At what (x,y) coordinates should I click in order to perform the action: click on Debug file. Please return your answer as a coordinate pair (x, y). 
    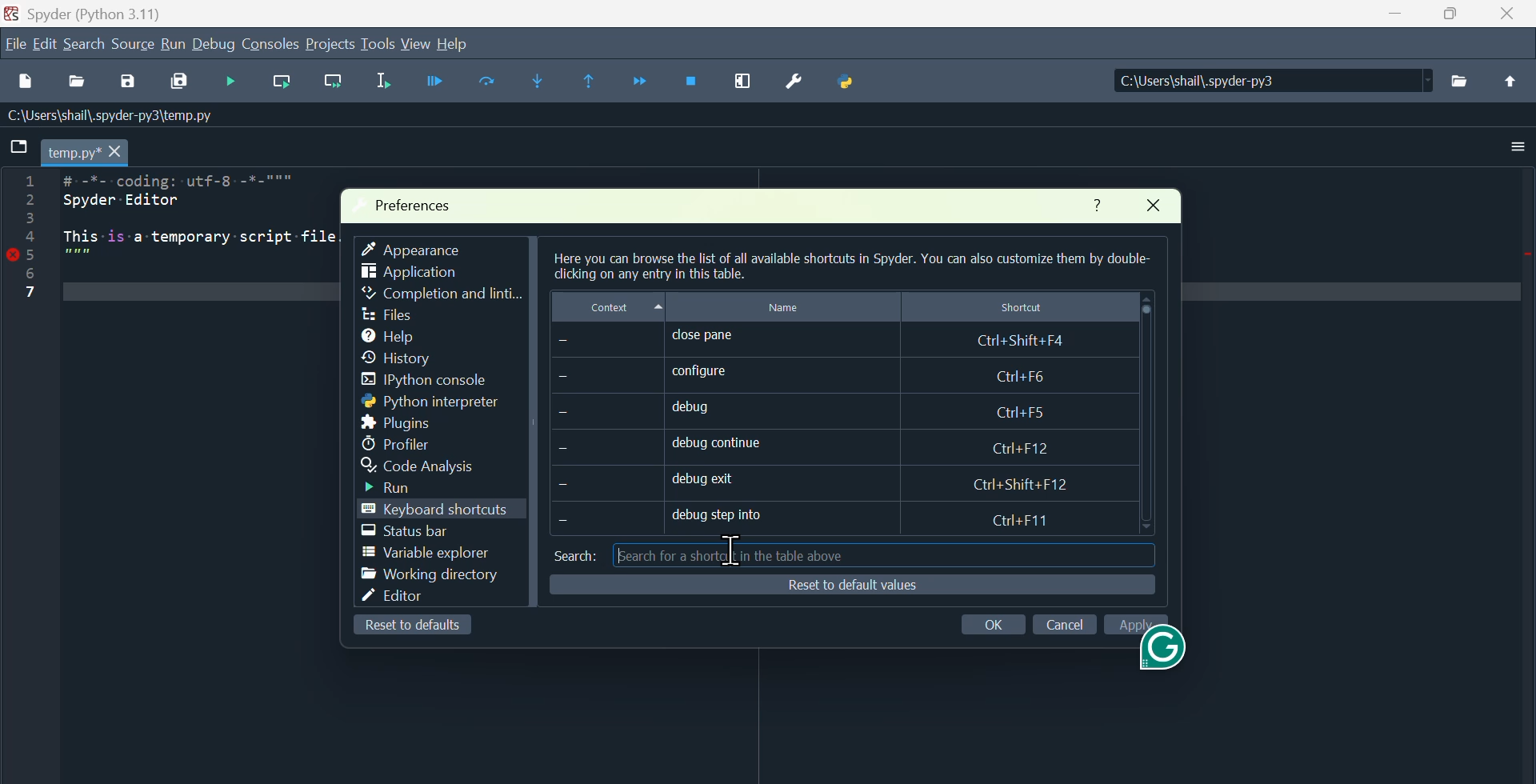
    Looking at the image, I should click on (234, 83).